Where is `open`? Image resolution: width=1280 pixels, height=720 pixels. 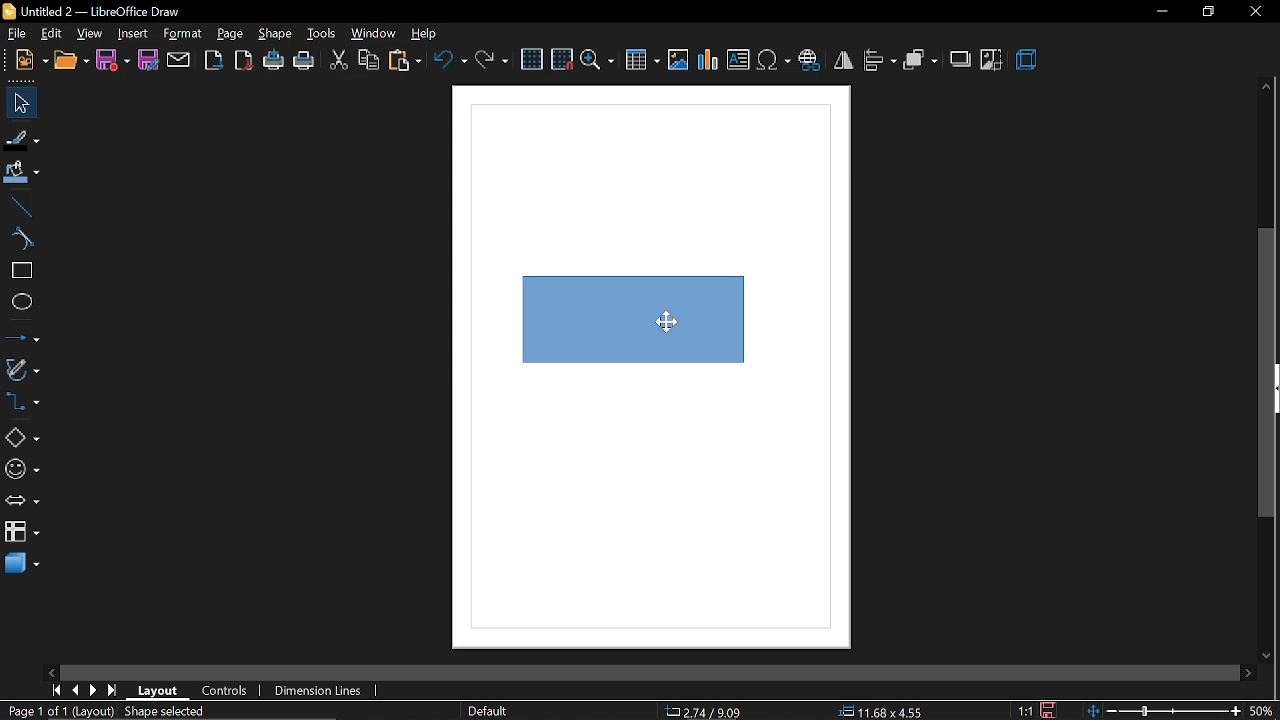 open is located at coordinates (70, 60).